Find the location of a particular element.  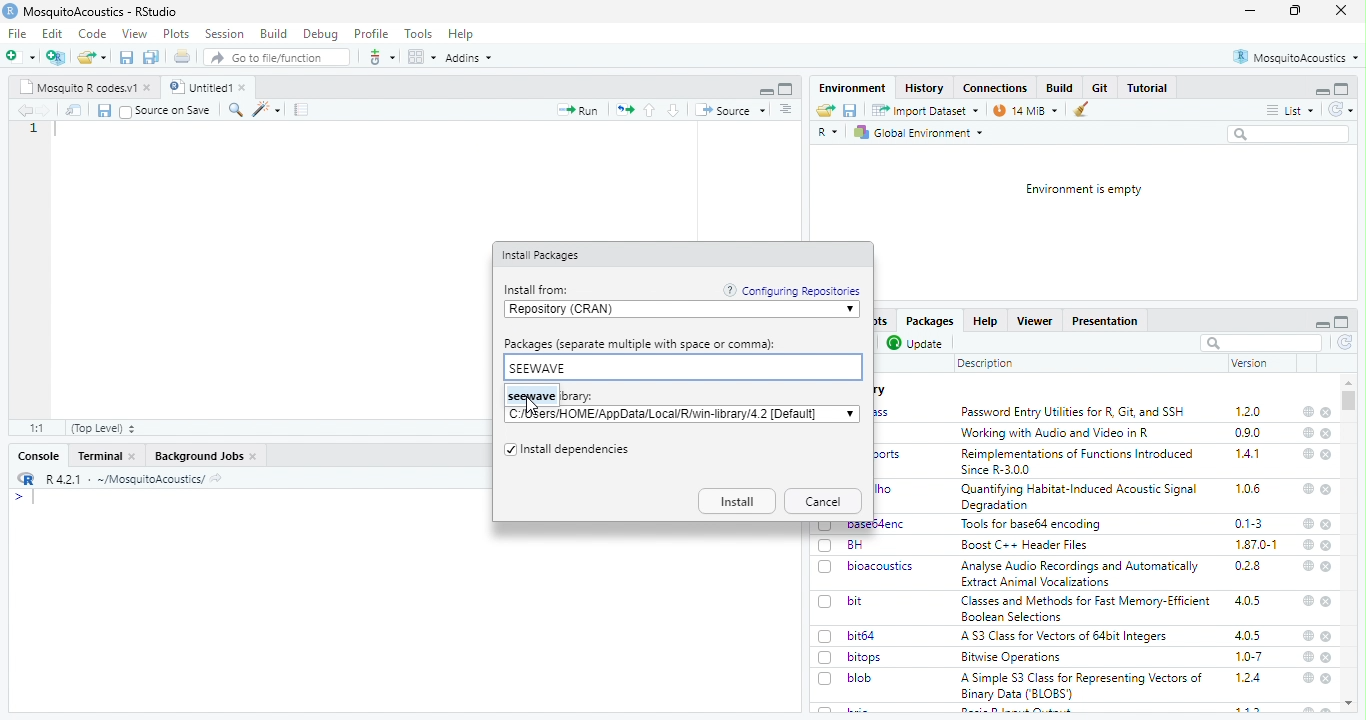

Drop-down  is located at coordinates (851, 310).